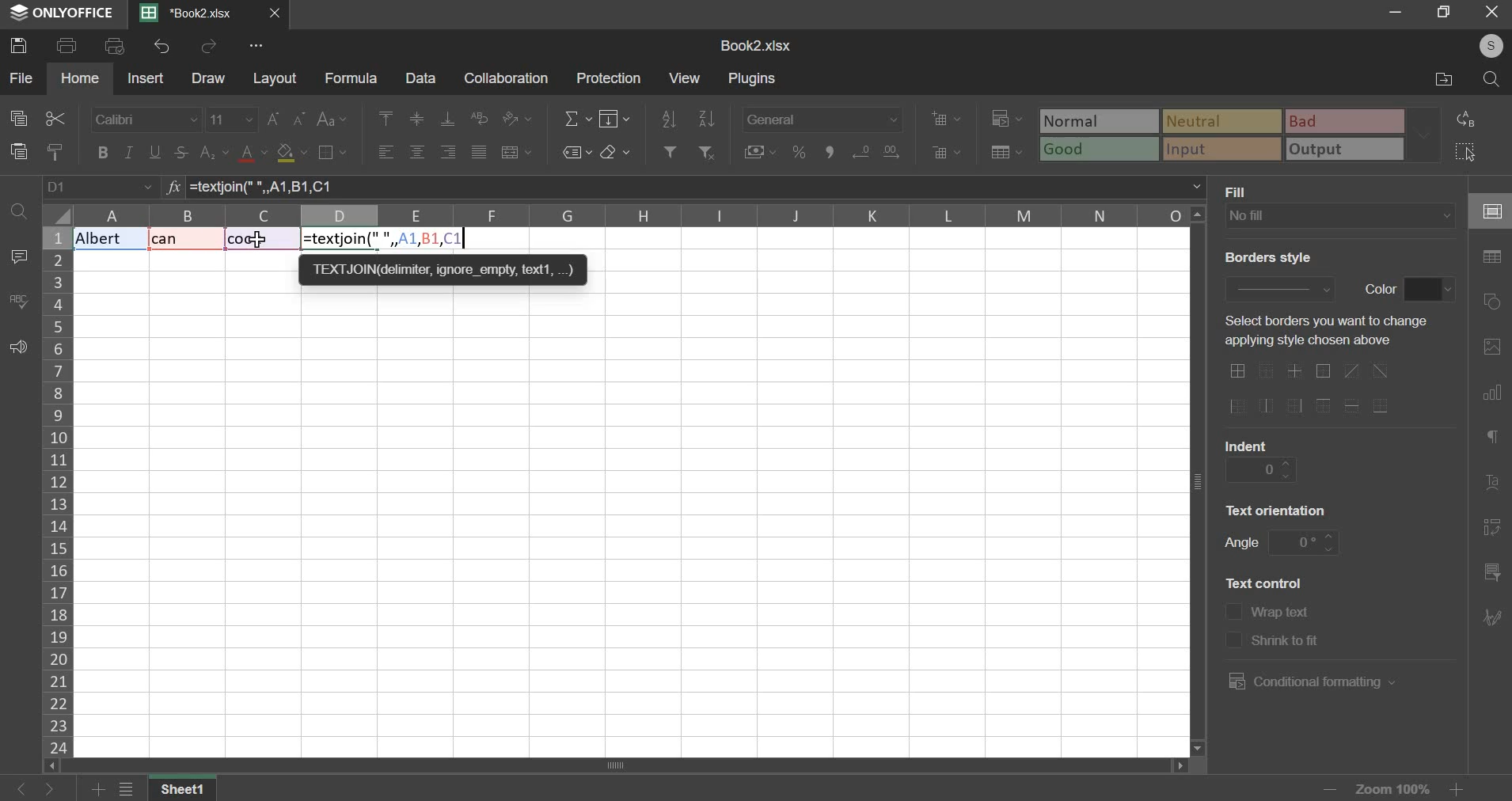 The width and height of the screenshot is (1512, 801). I want to click on text color, so click(254, 154).